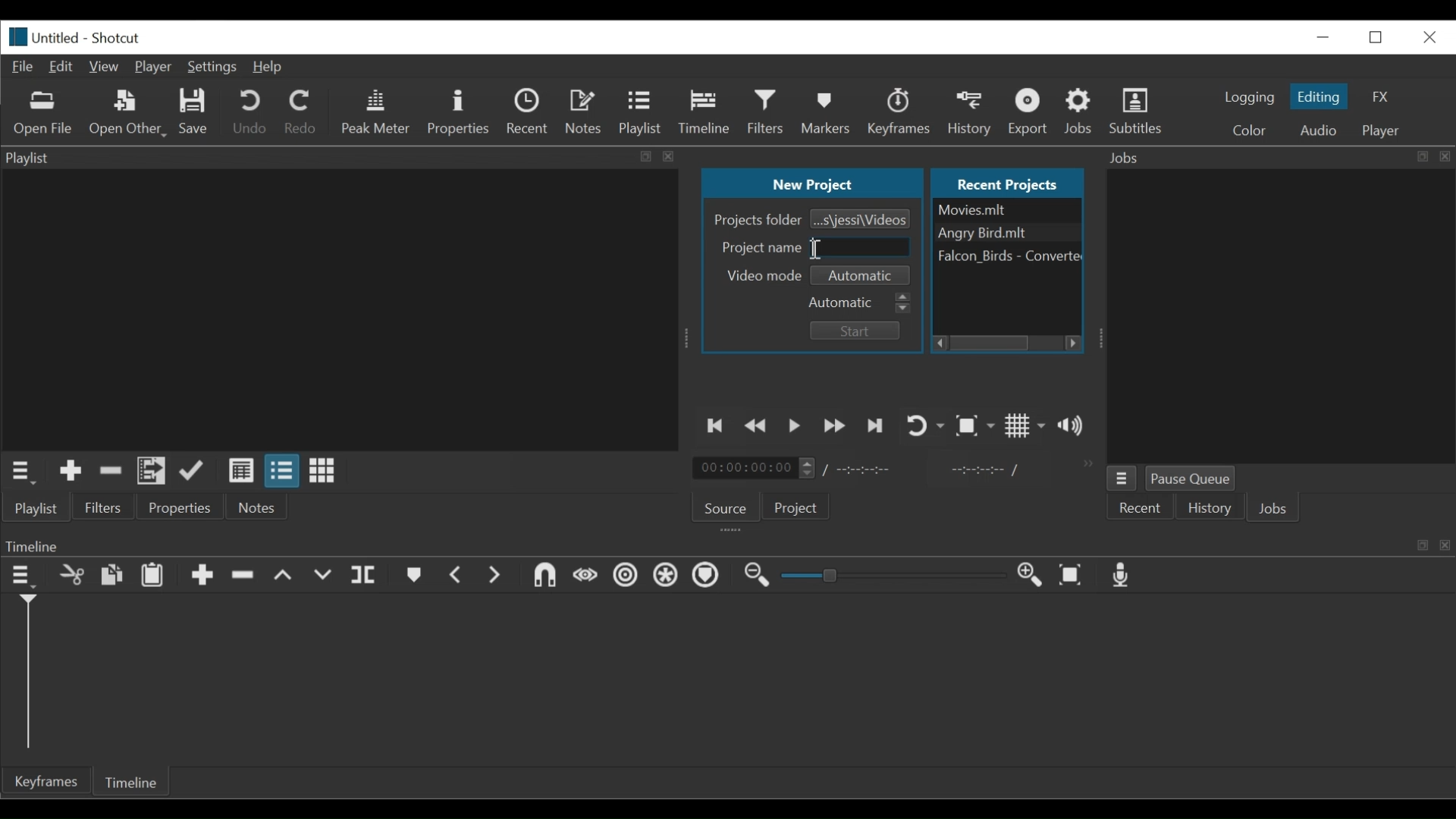 This screenshot has height=819, width=1456. What do you see at coordinates (1034, 576) in the screenshot?
I see `Zoom Timeline in` at bounding box center [1034, 576].